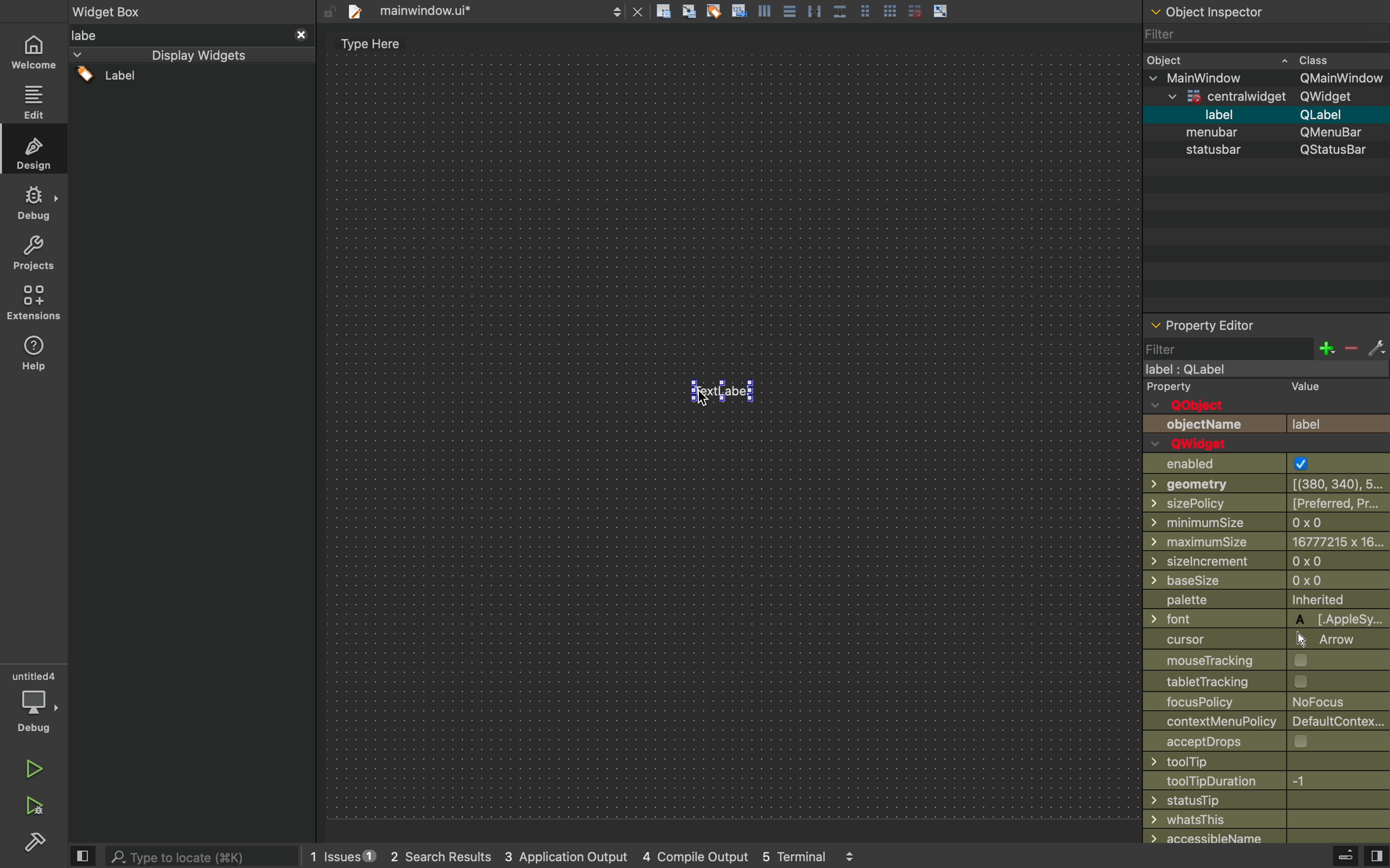 The width and height of the screenshot is (1390, 868). What do you see at coordinates (726, 388) in the screenshot?
I see `label widget dropped` at bounding box center [726, 388].